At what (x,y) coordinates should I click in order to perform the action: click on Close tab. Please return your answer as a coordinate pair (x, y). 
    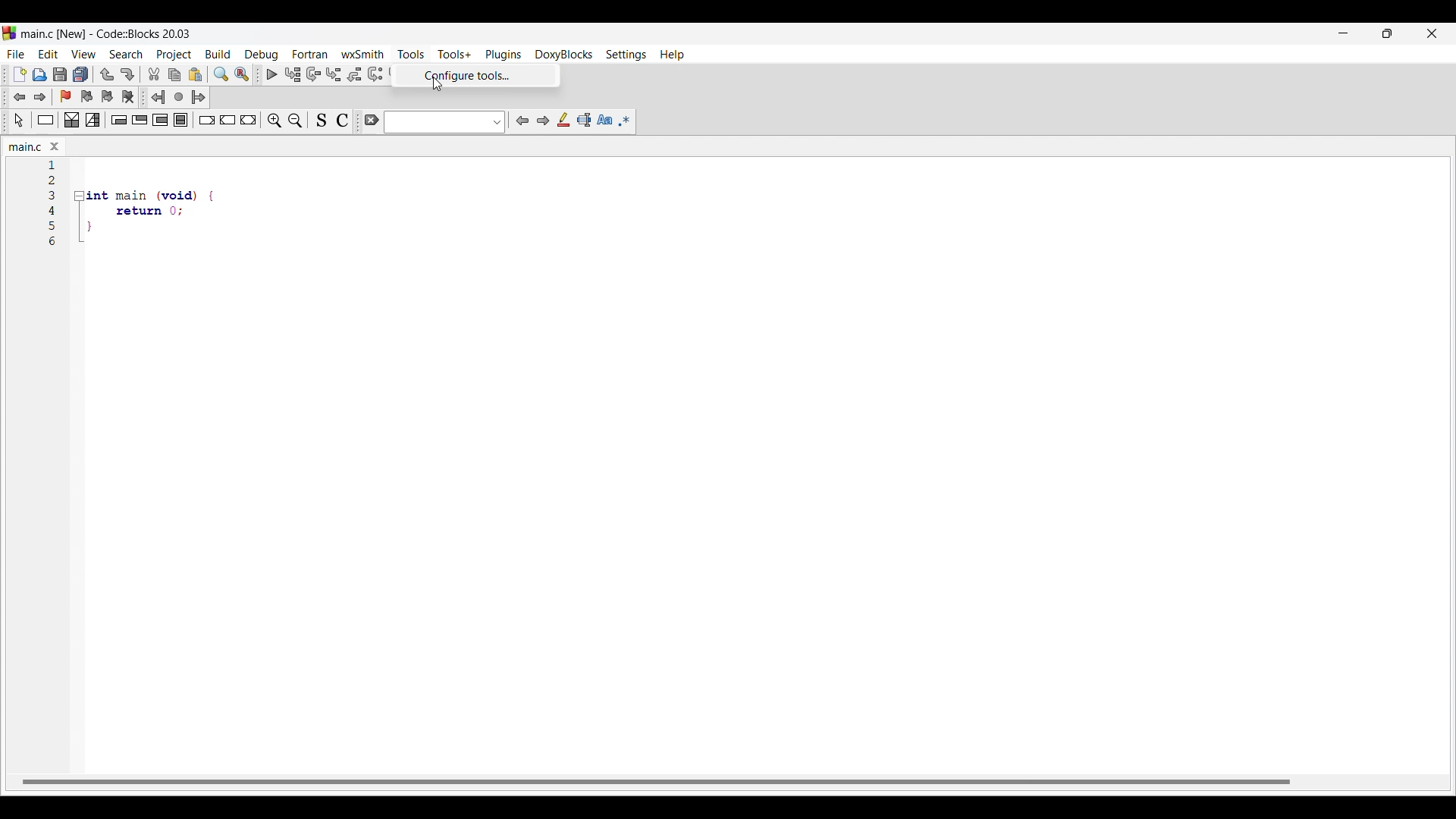
    Looking at the image, I should click on (55, 146).